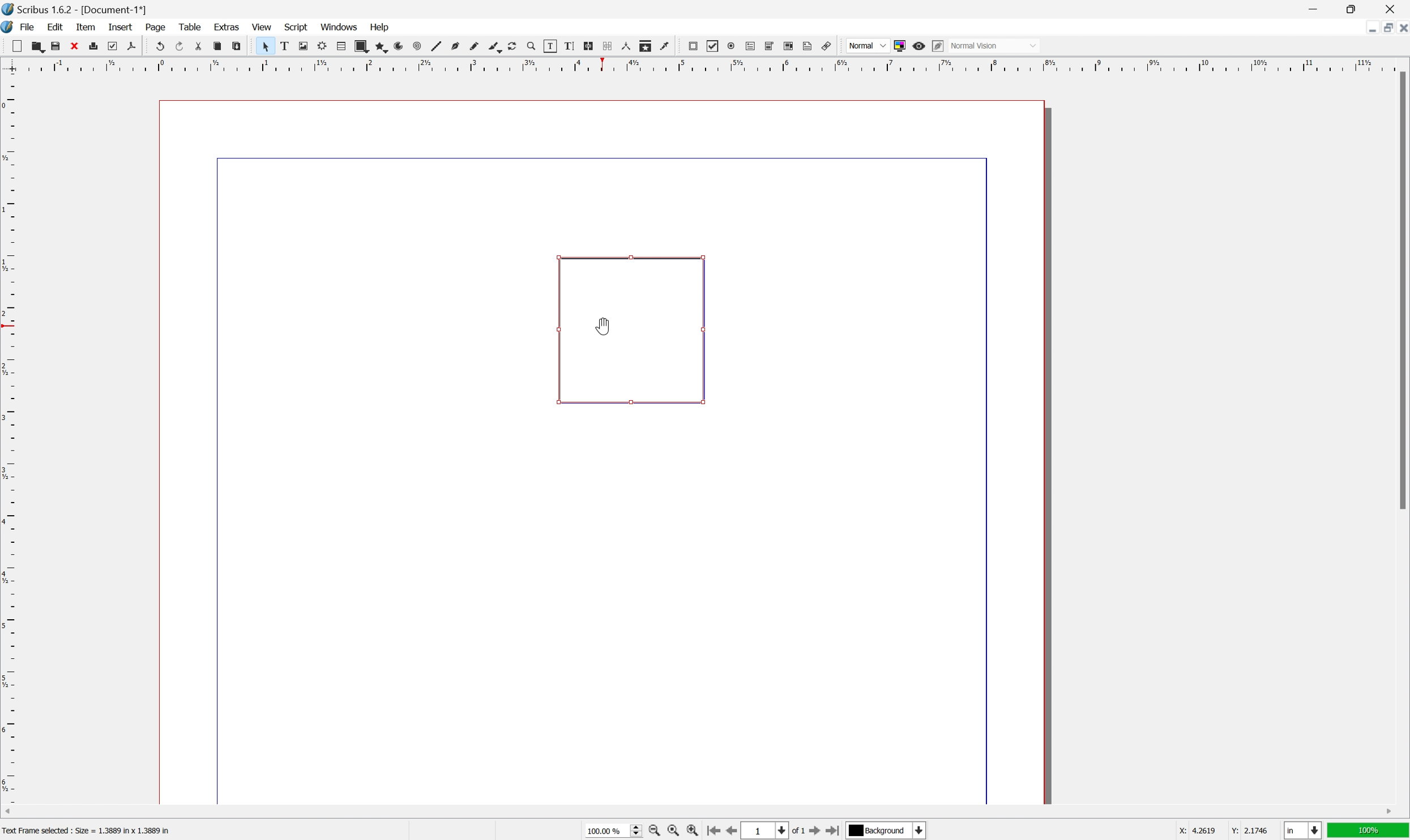 Image resolution: width=1410 pixels, height=840 pixels. What do you see at coordinates (653, 831) in the screenshot?
I see `zoom out` at bounding box center [653, 831].